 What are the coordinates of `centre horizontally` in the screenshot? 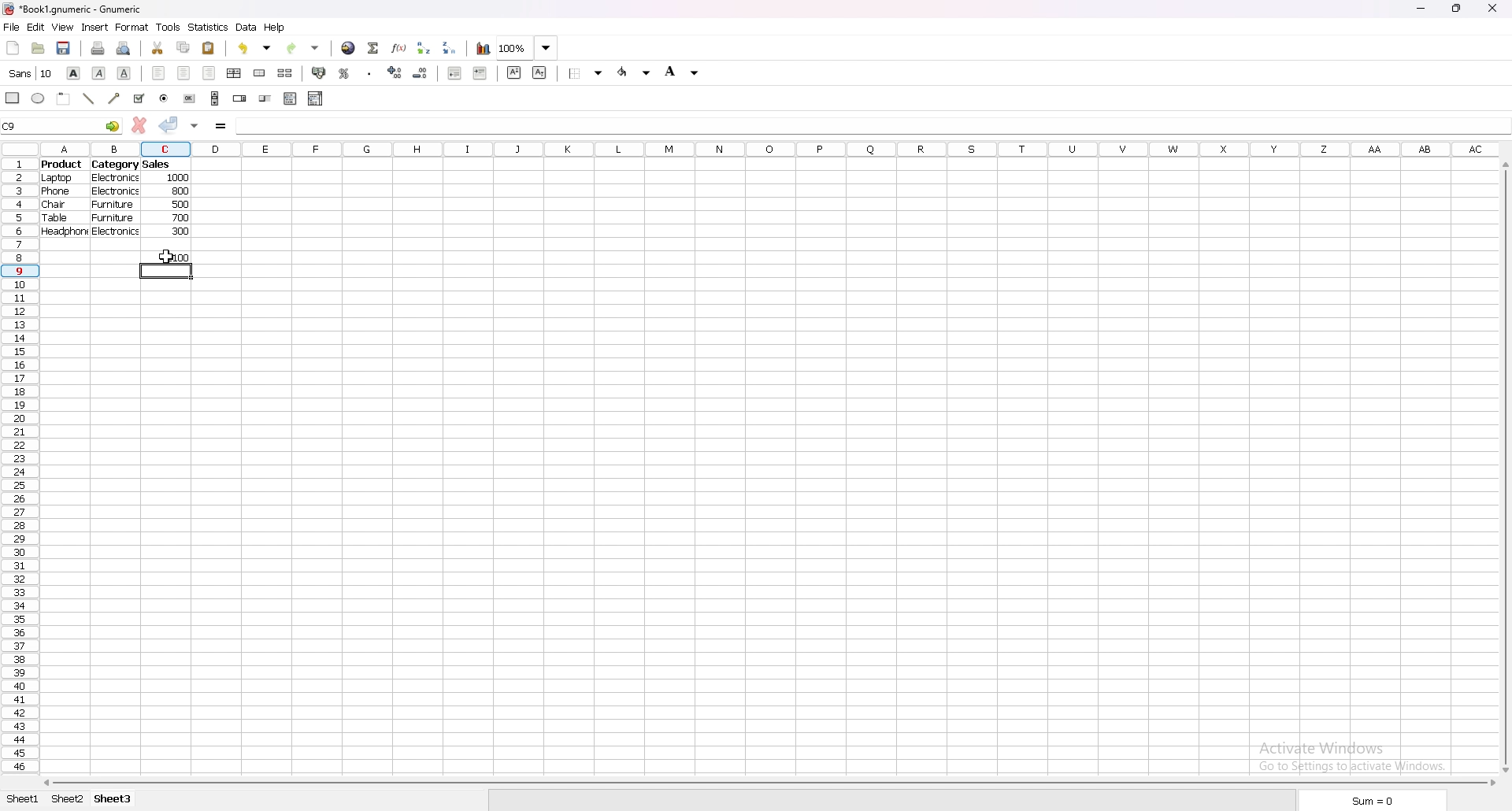 It's located at (235, 73).